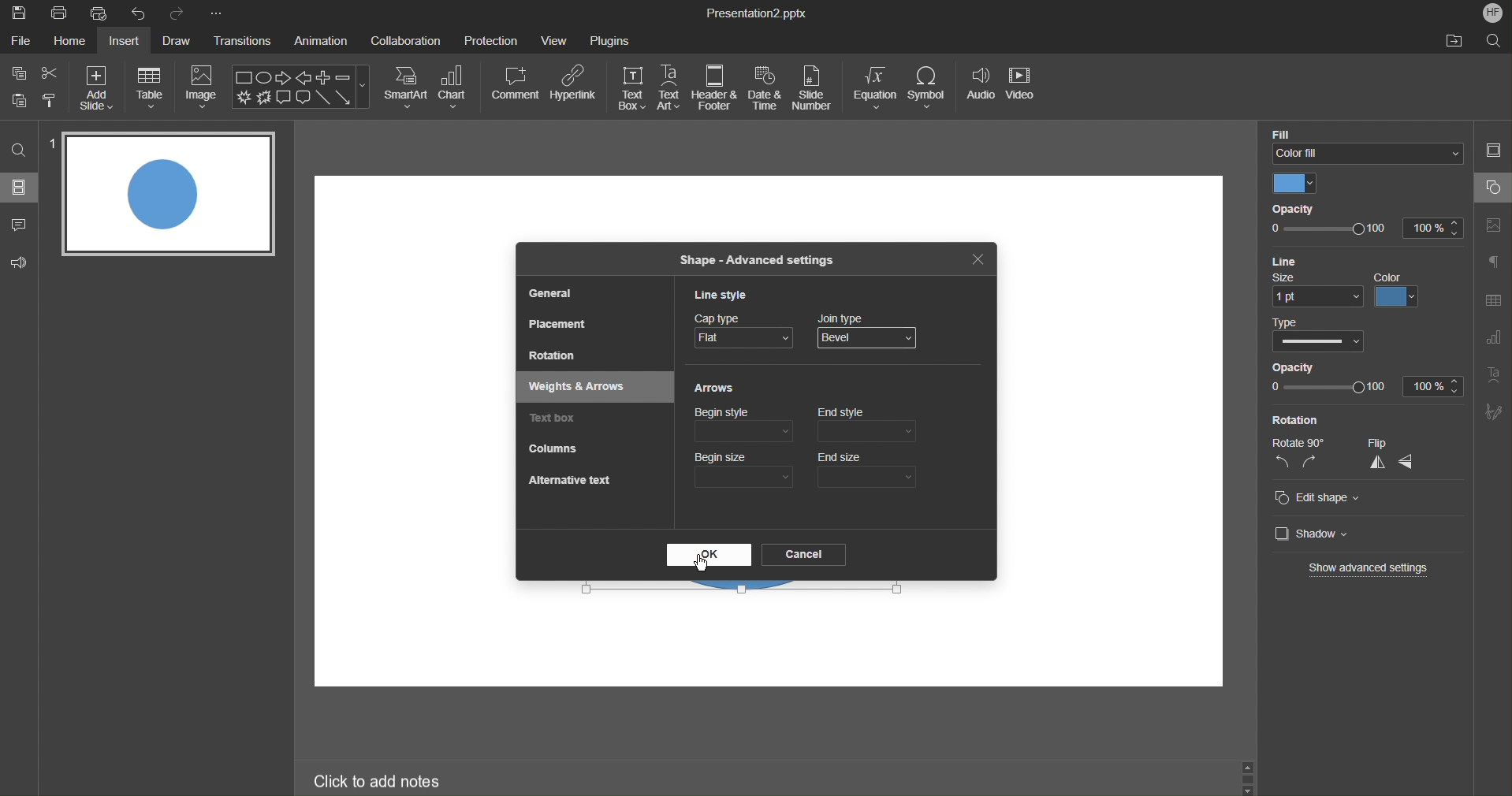  I want to click on Copy, so click(17, 73).